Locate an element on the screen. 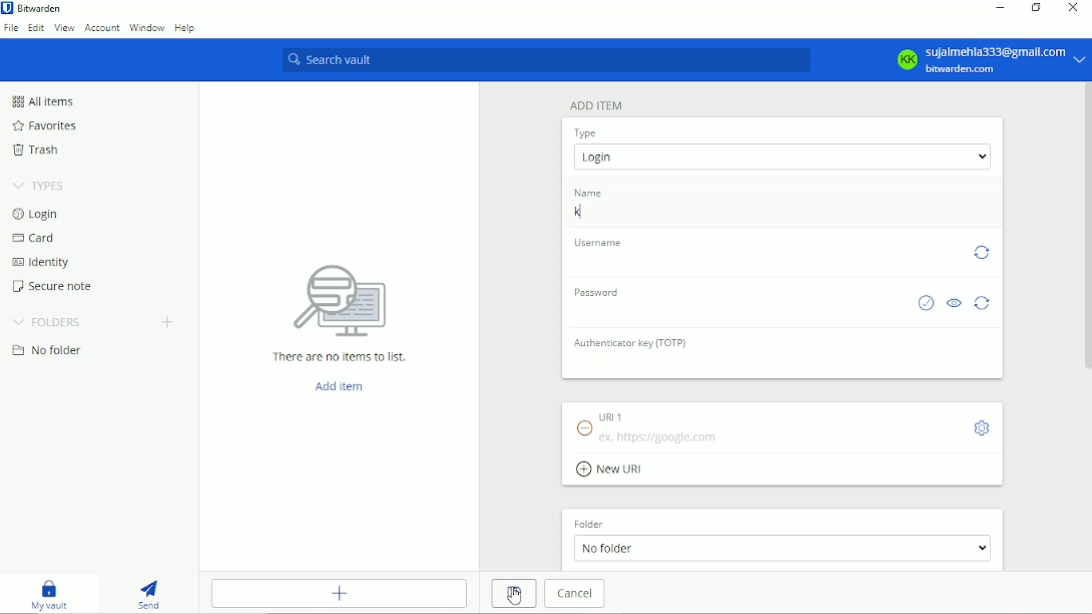 This screenshot has height=614, width=1092. Send is located at coordinates (148, 594).